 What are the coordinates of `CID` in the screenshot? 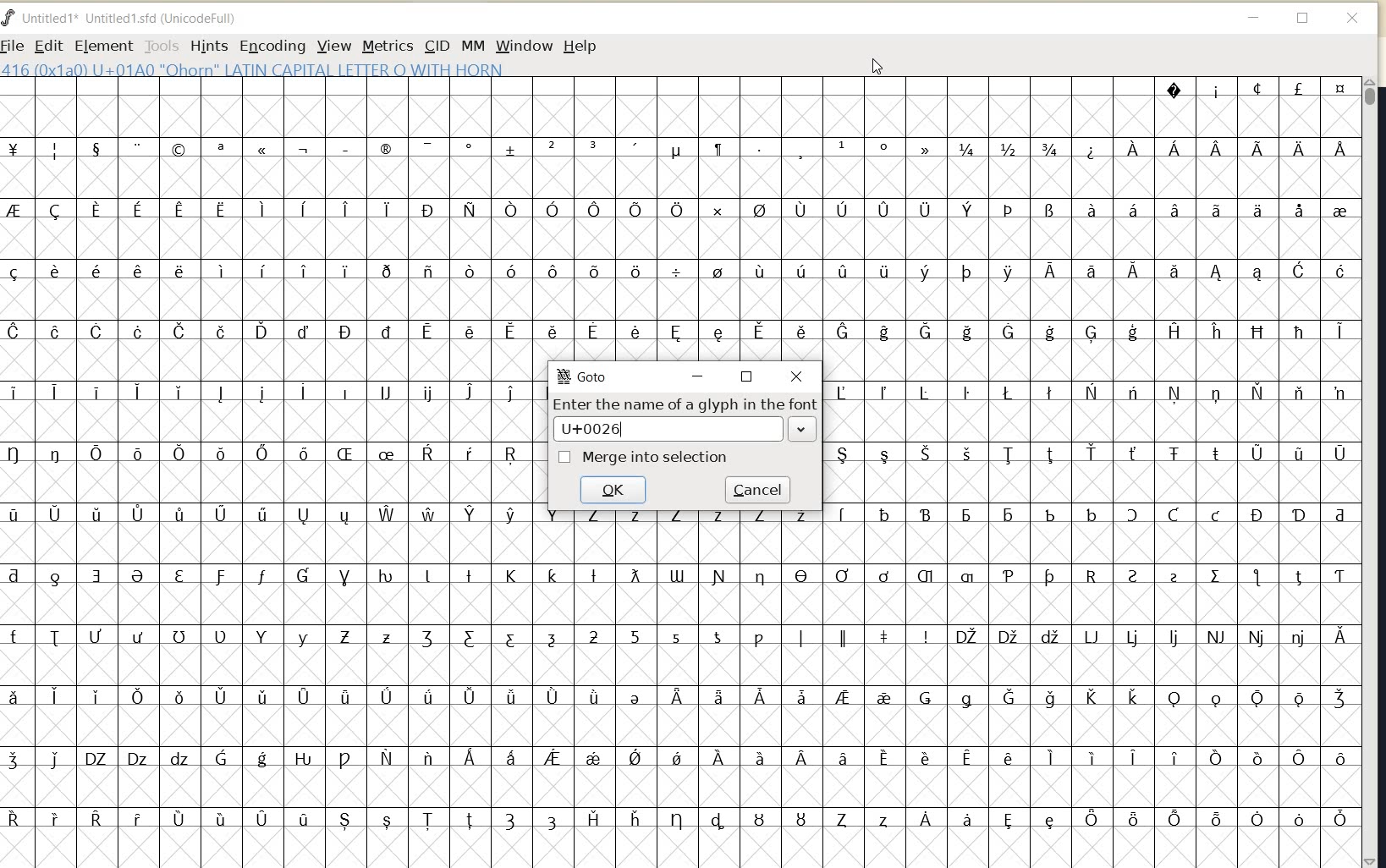 It's located at (435, 45).